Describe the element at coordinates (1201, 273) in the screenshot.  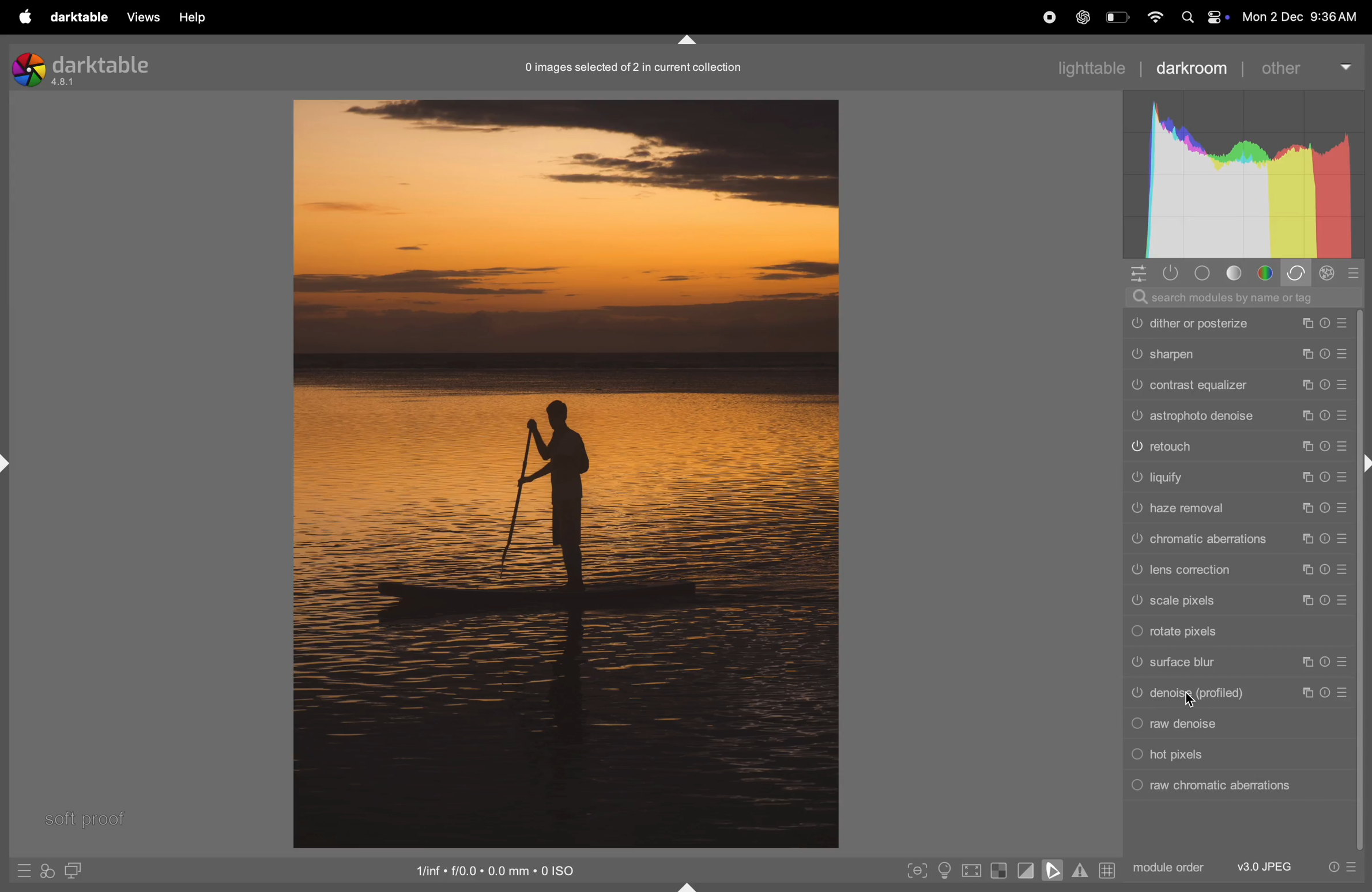
I see `base` at that location.